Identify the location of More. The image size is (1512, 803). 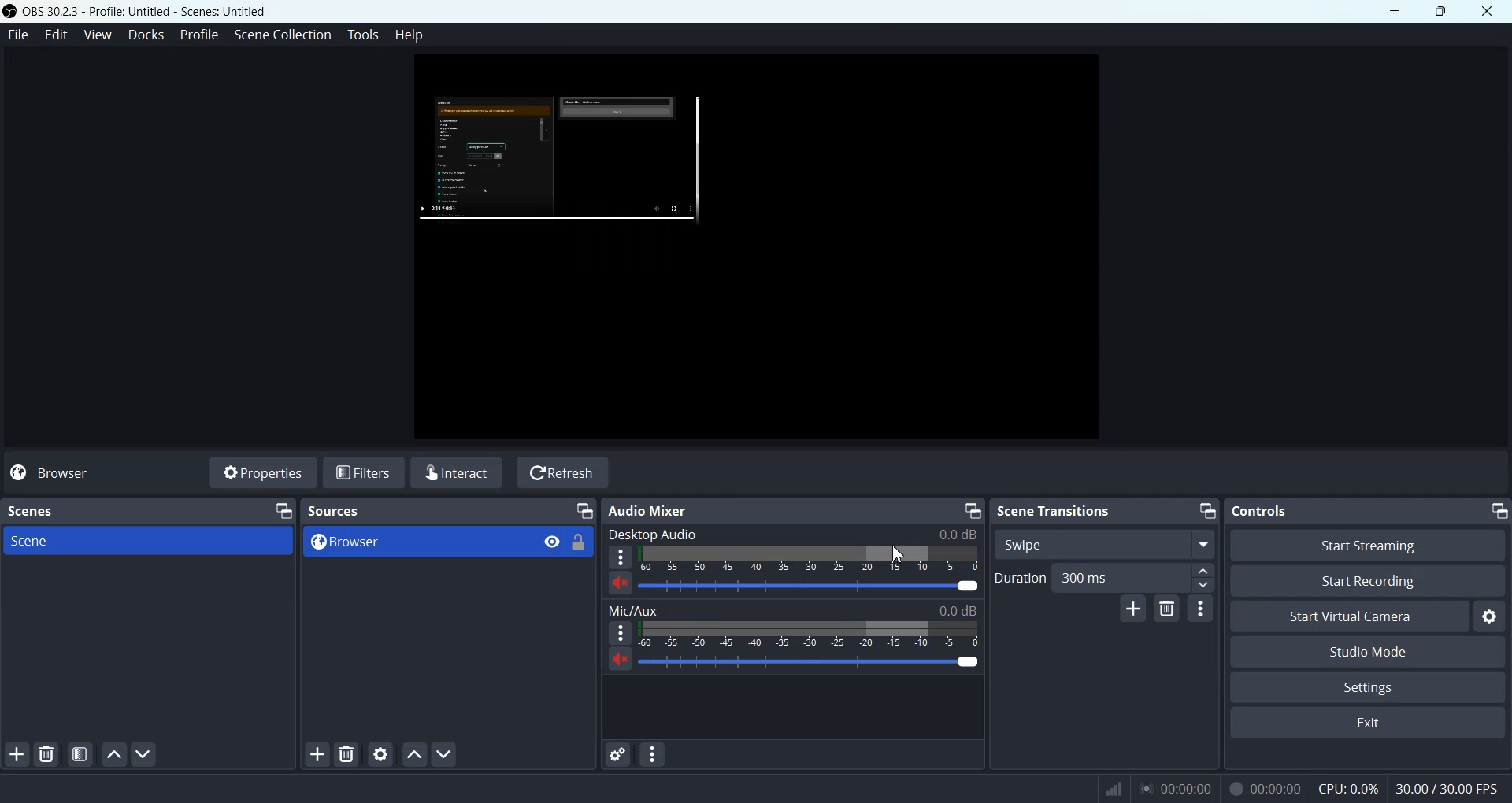
(620, 633).